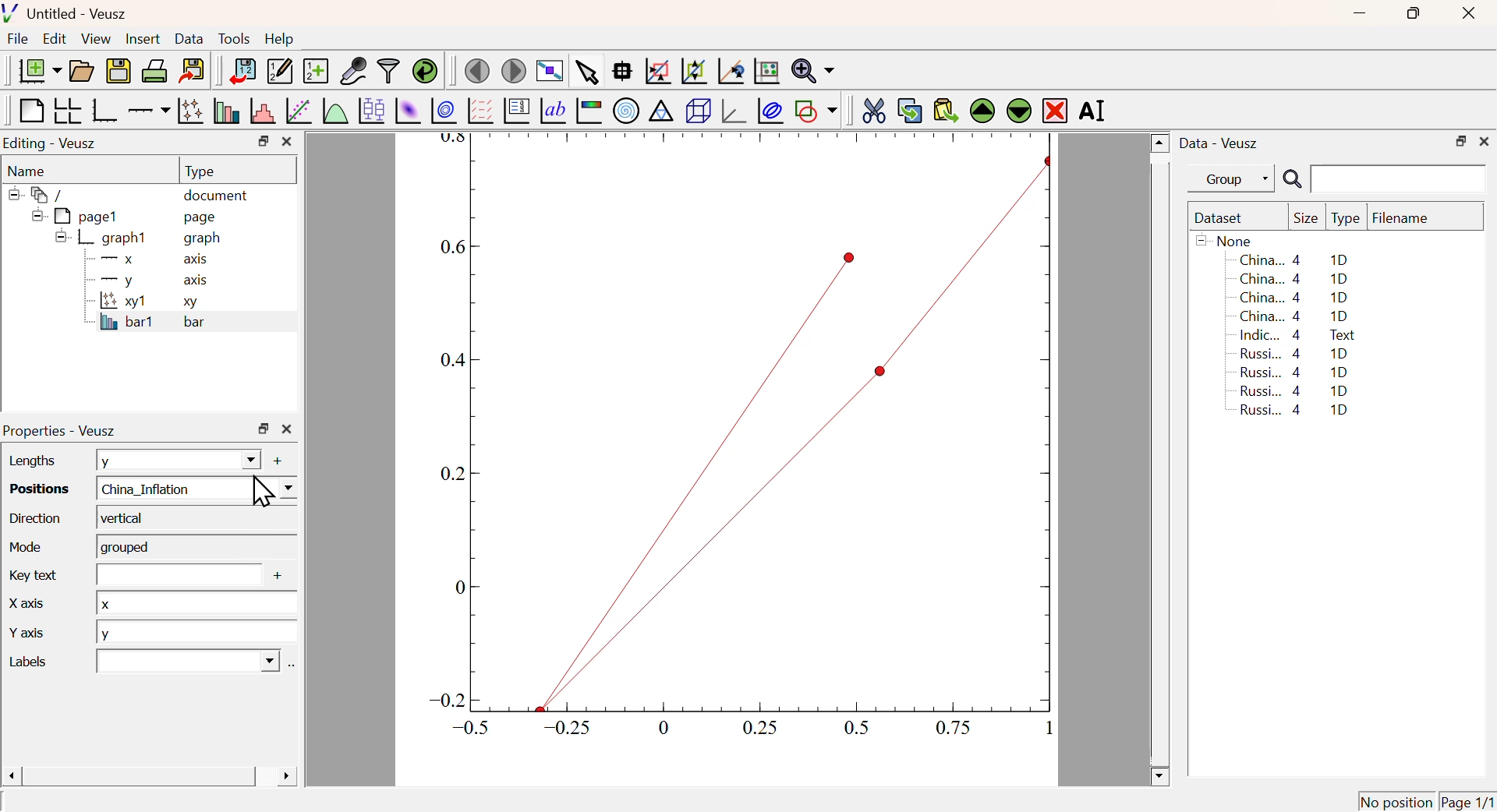  Describe the element at coordinates (693, 69) in the screenshot. I see `Zoom out graph axis` at that location.